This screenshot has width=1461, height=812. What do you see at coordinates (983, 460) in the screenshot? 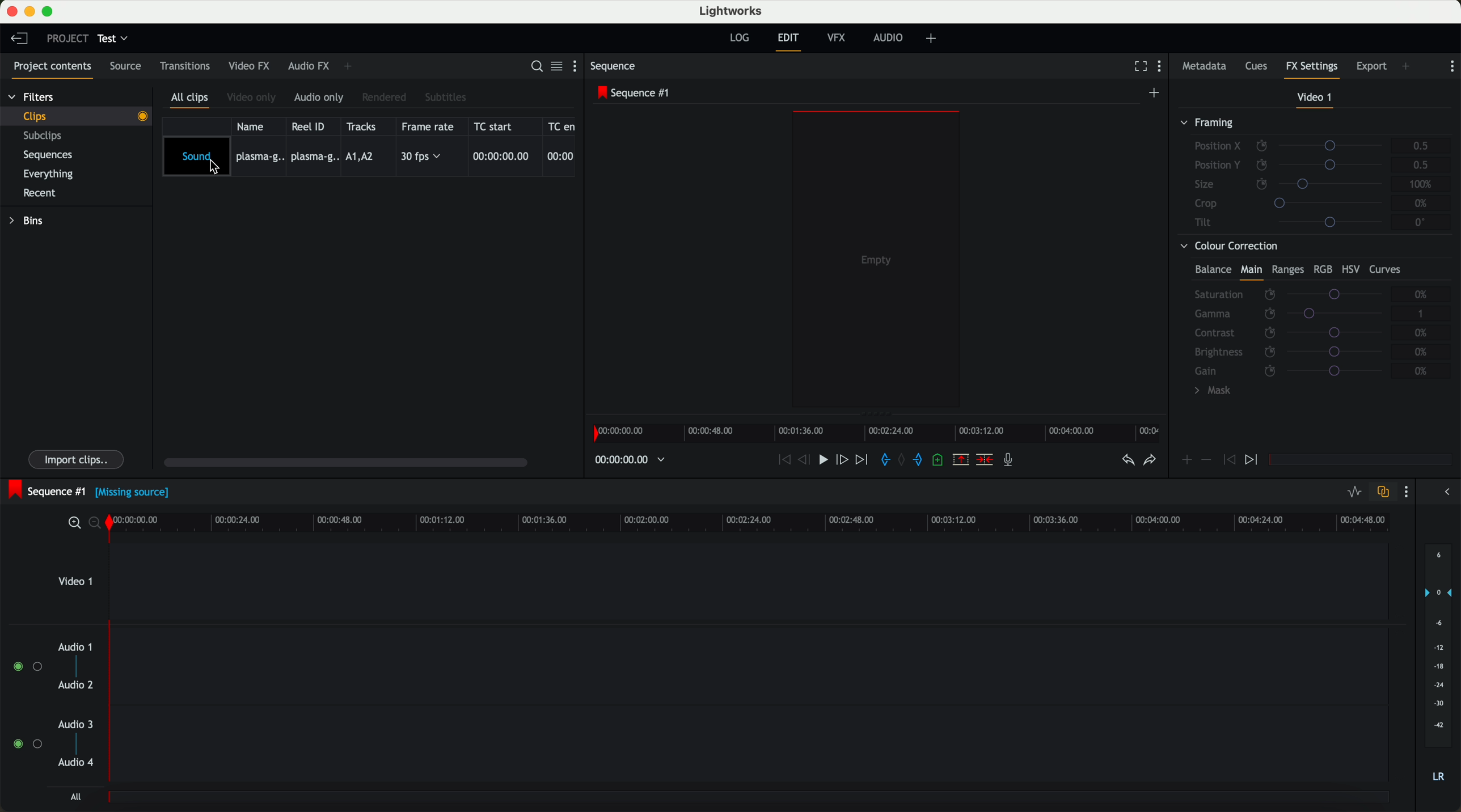
I see `delete/cut` at bounding box center [983, 460].